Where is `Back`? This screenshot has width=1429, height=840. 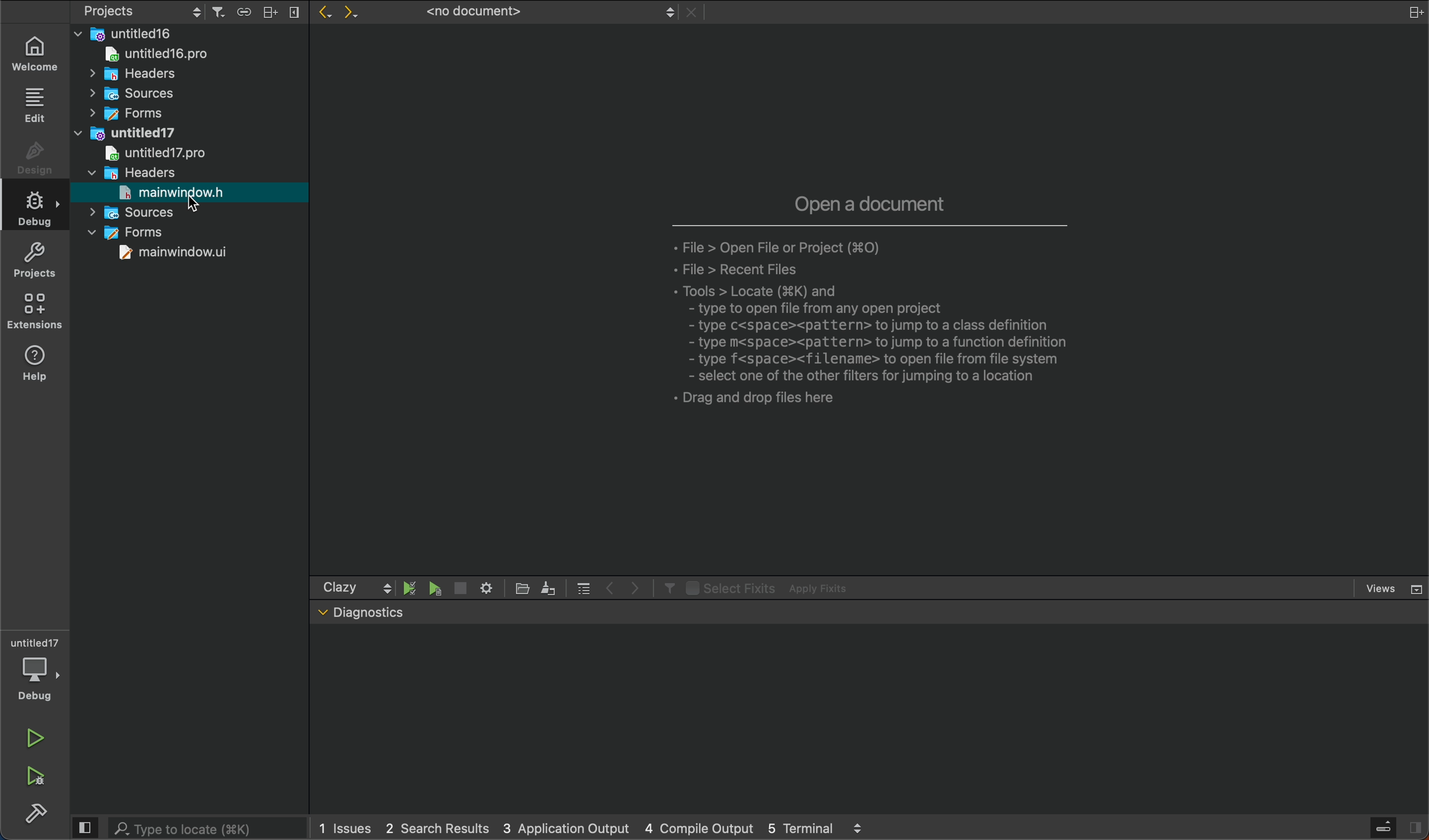 Back is located at coordinates (322, 14).